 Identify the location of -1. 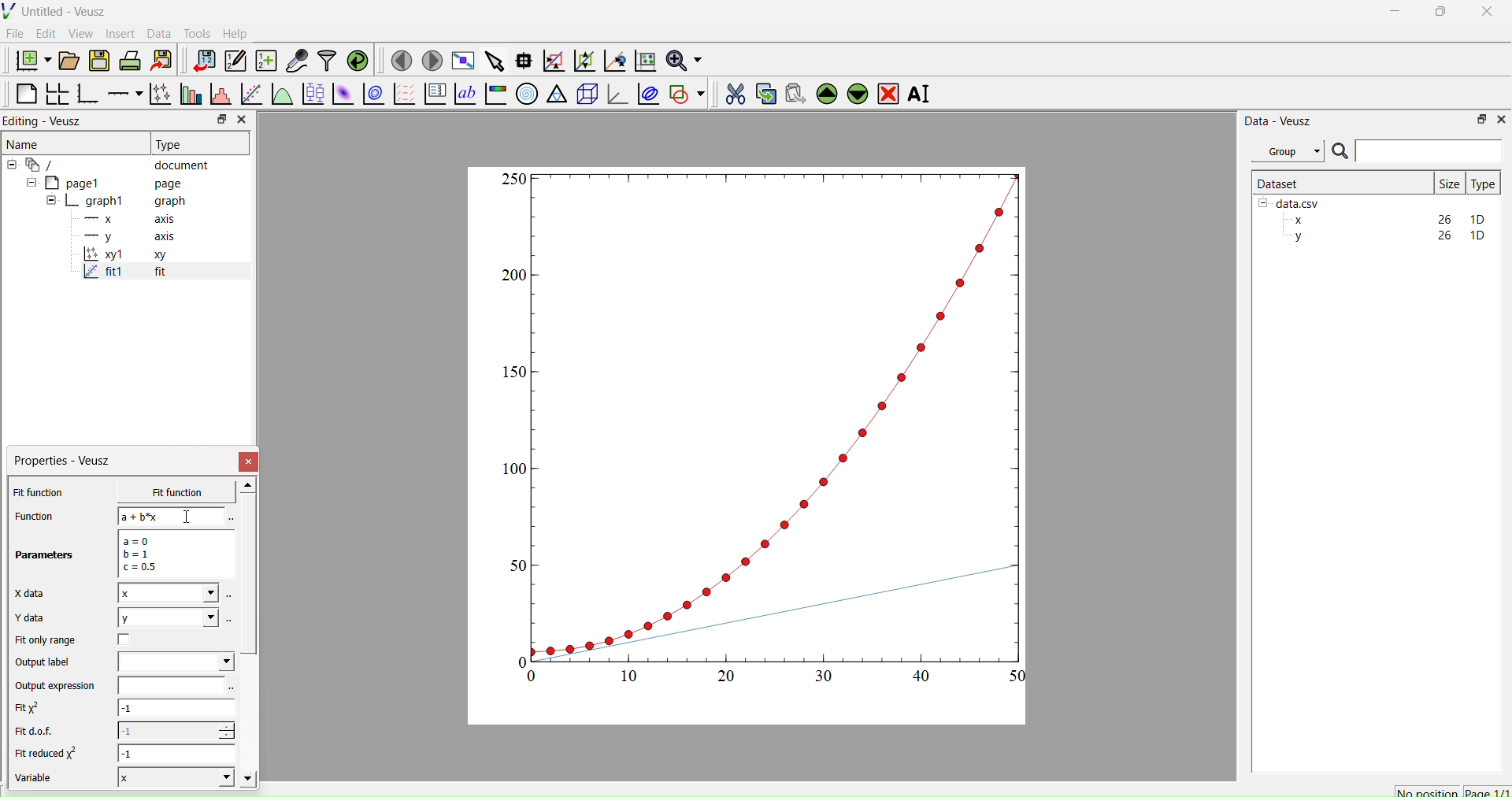
(178, 753).